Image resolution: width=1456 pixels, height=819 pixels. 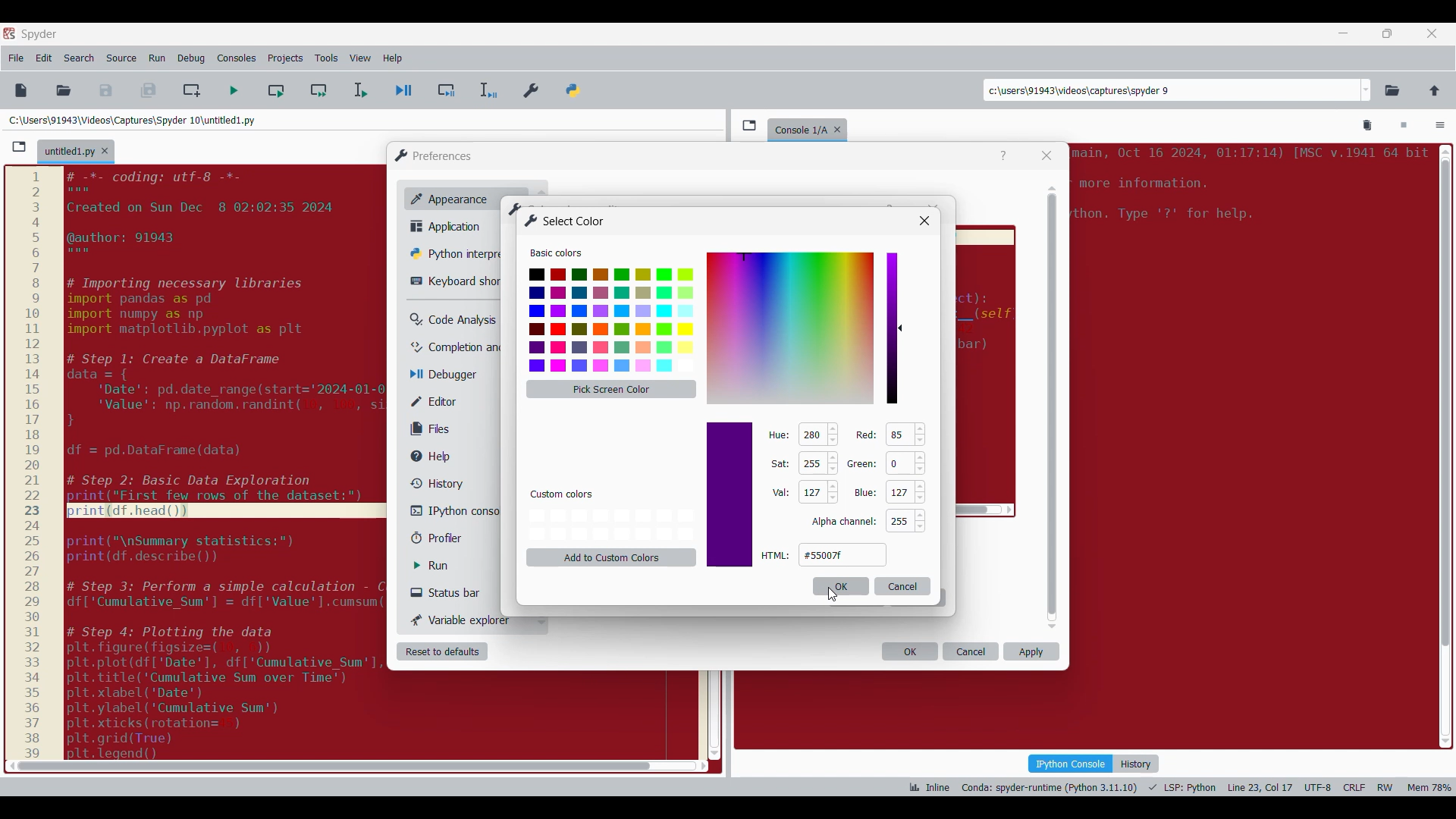 What do you see at coordinates (1171, 90) in the screenshot?
I see `Enter locations` at bounding box center [1171, 90].